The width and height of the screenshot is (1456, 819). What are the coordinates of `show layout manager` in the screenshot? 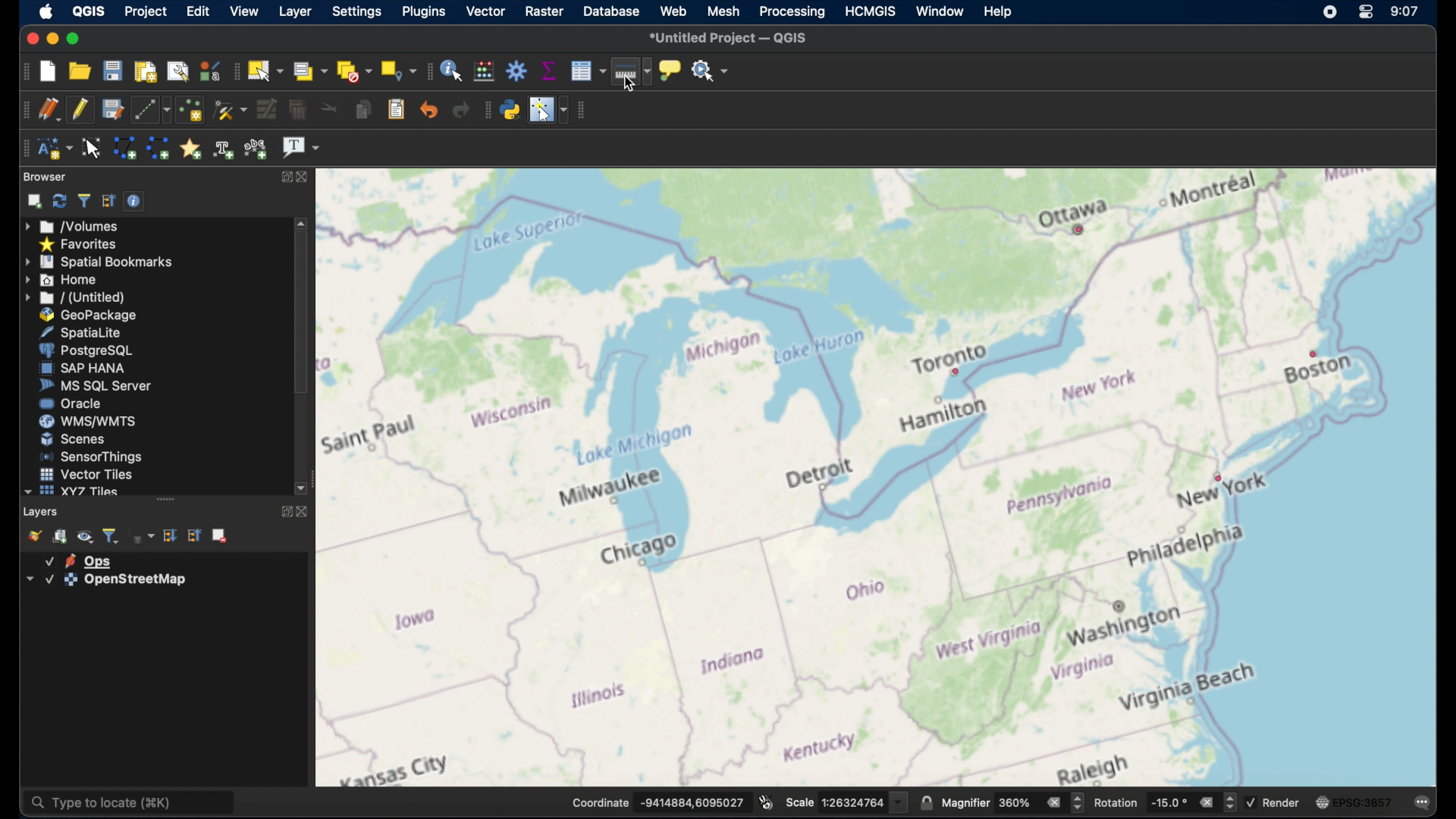 It's located at (177, 69).